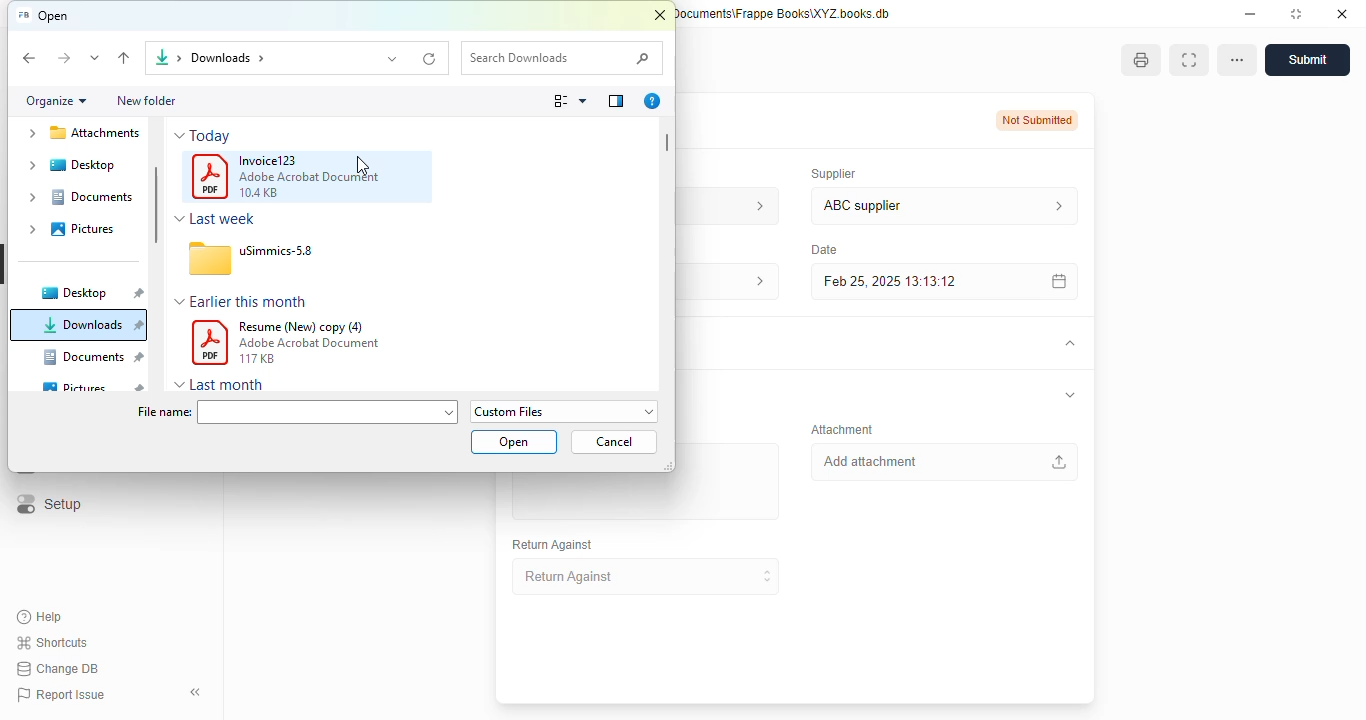  What do you see at coordinates (54, 16) in the screenshot?
I see `open` at bounding box center [54, 16].